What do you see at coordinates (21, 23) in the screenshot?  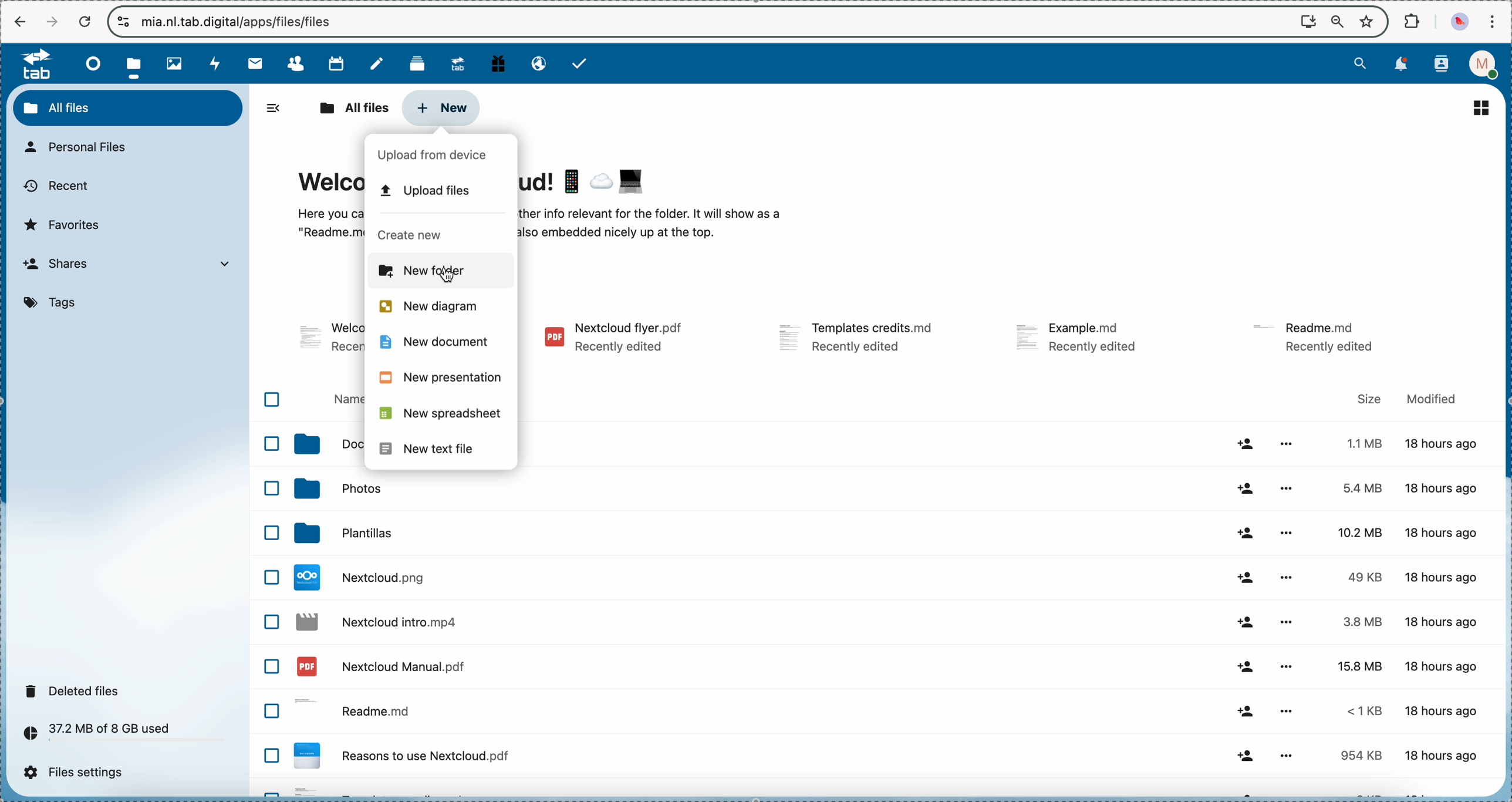 I see `navigate back` at bounding box center [21, 23].